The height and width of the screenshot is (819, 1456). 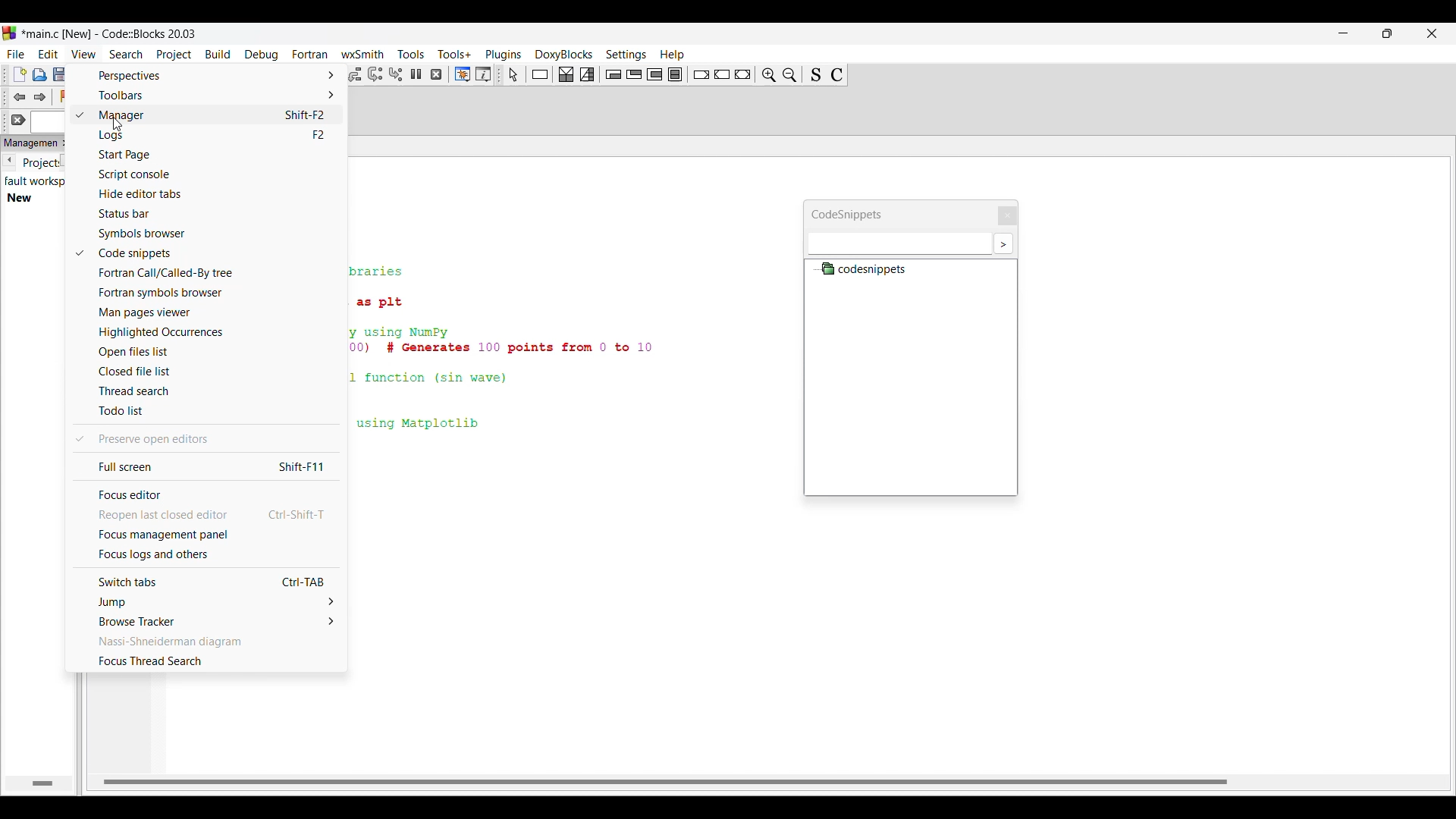 What do you see at coordinates (1432, 33) in the screenshot?
I see `Close interface` at bounding box center [1432, 33].